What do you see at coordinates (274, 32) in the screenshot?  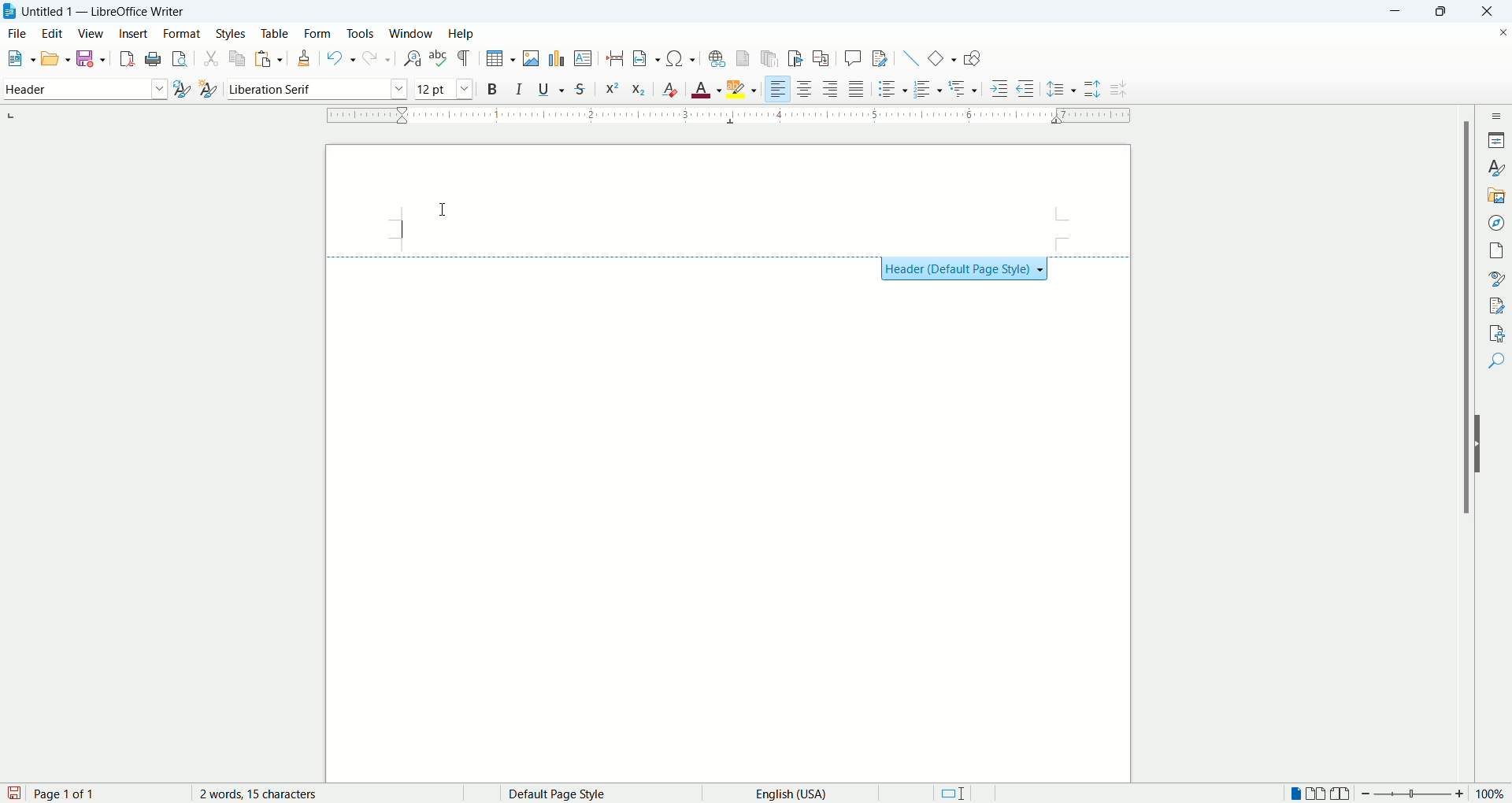 I see `table` at bounding box center [274, 32].